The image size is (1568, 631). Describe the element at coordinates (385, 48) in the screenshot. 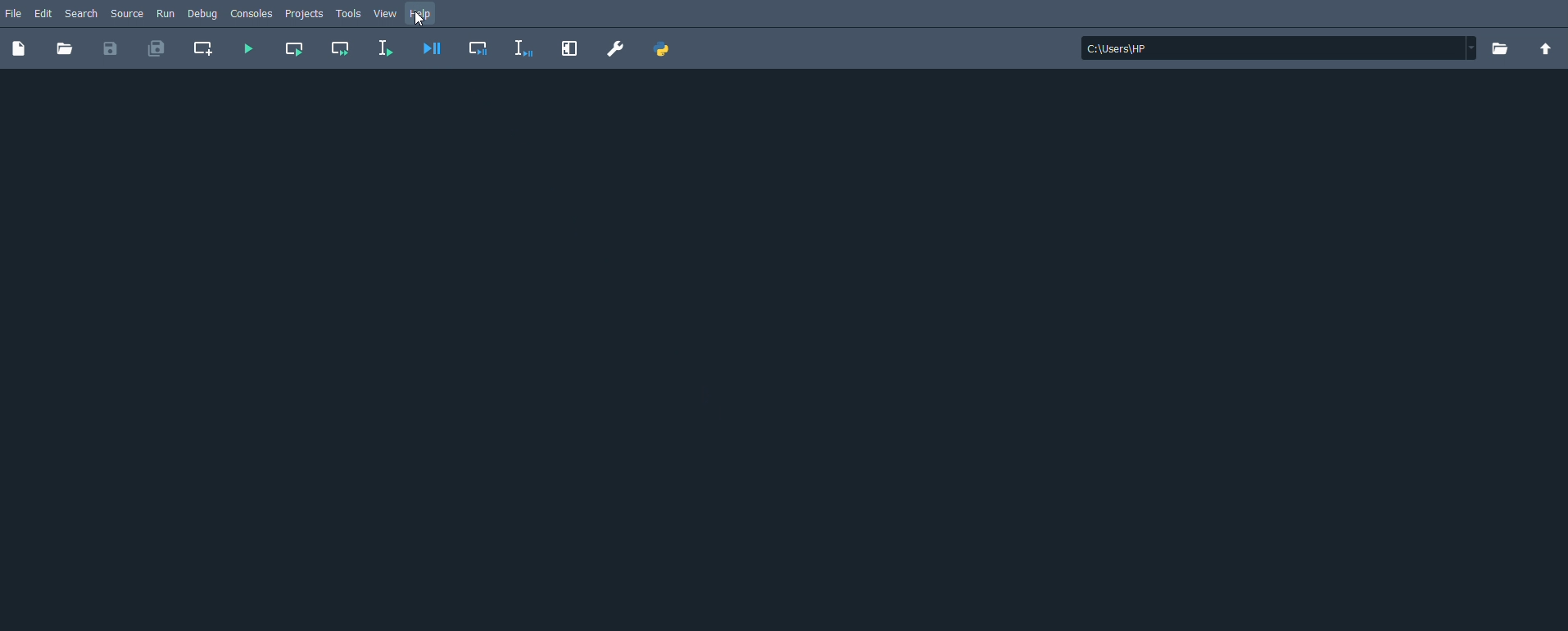

I see `Run selection or current line` at that location.